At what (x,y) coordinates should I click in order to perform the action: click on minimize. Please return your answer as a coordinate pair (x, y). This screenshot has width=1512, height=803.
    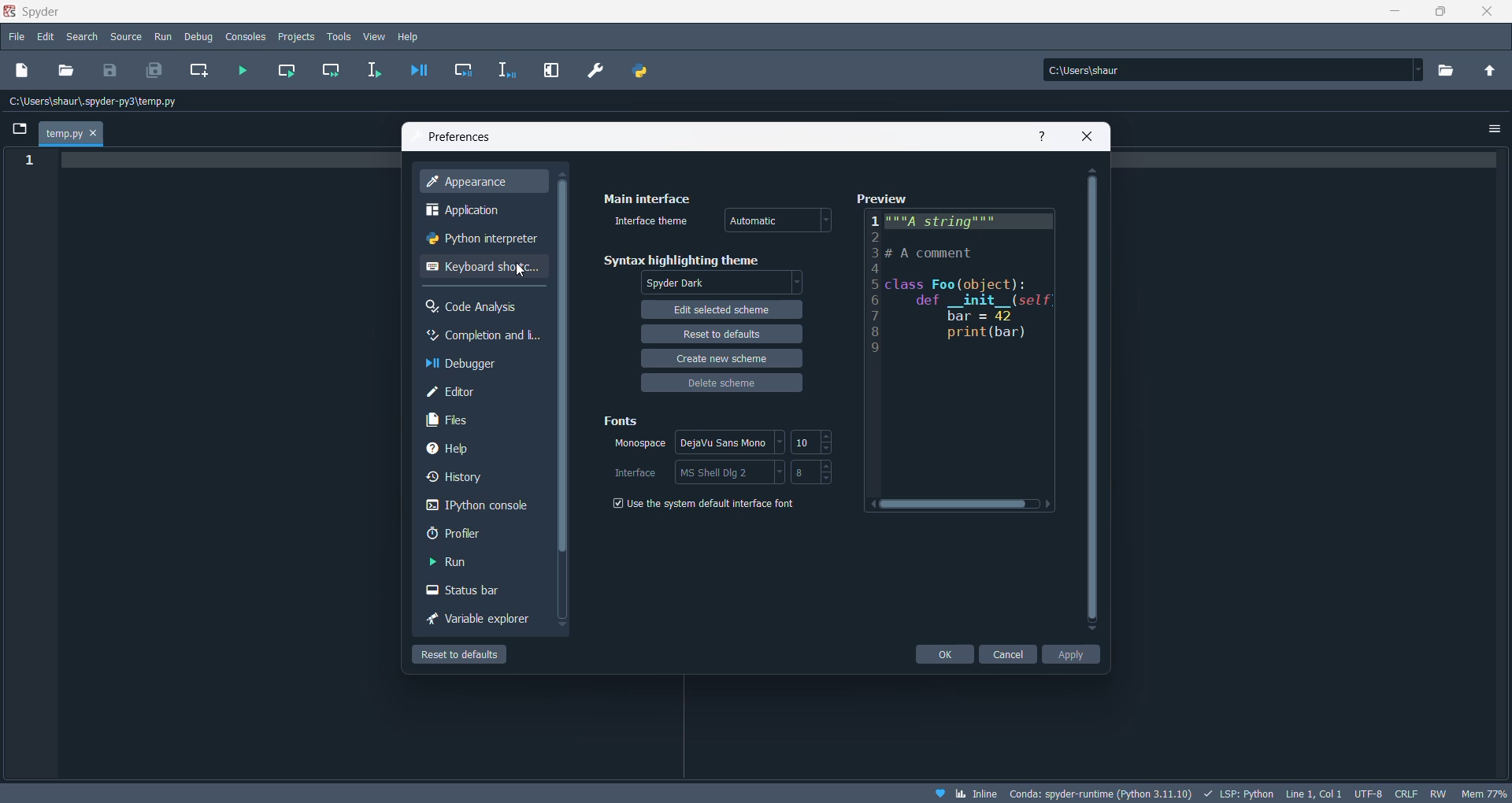
    Looking at the image, I should click on (1390, 14).